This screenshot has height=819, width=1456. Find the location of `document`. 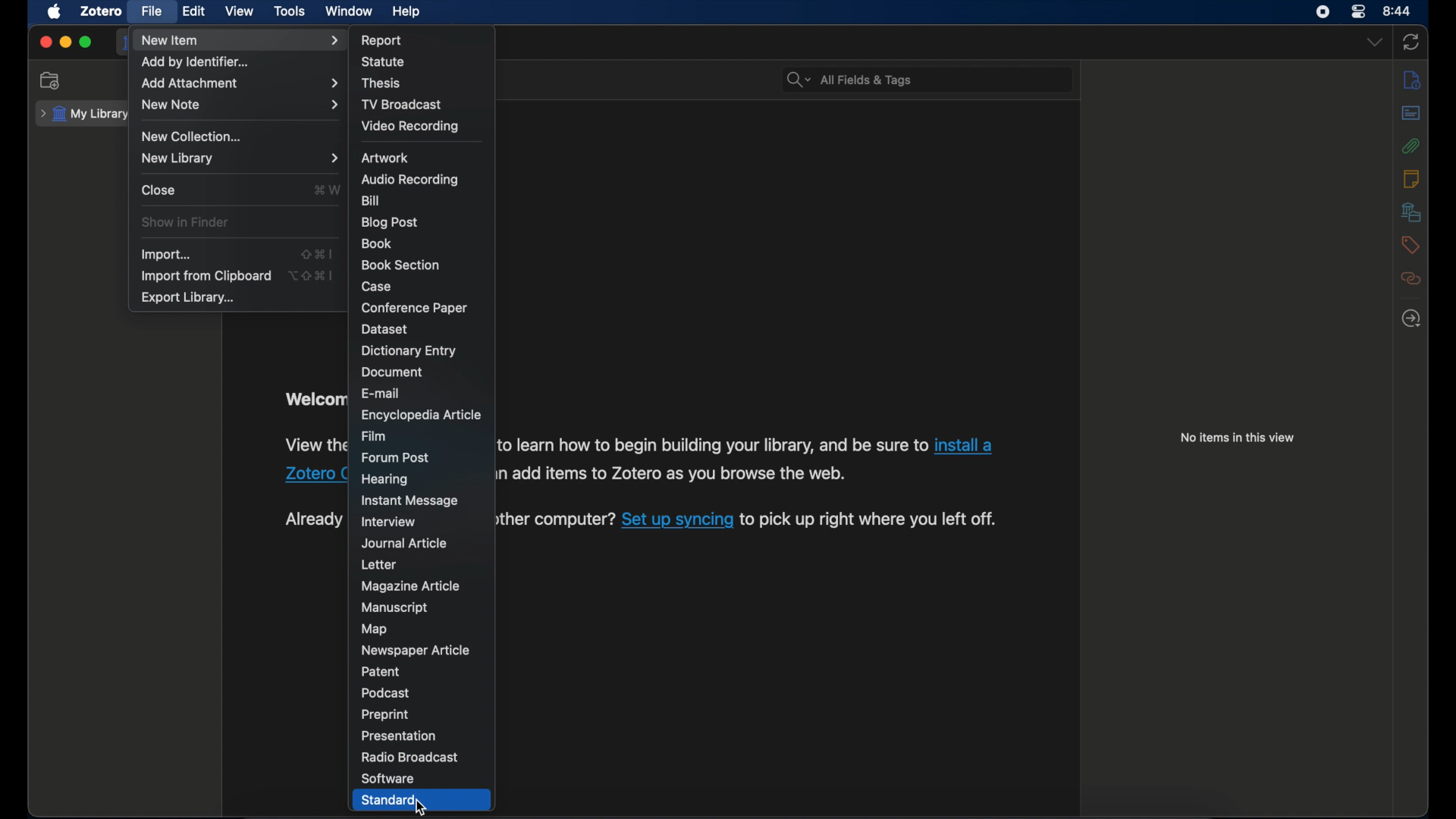

document is located at coordinates (391, 372).